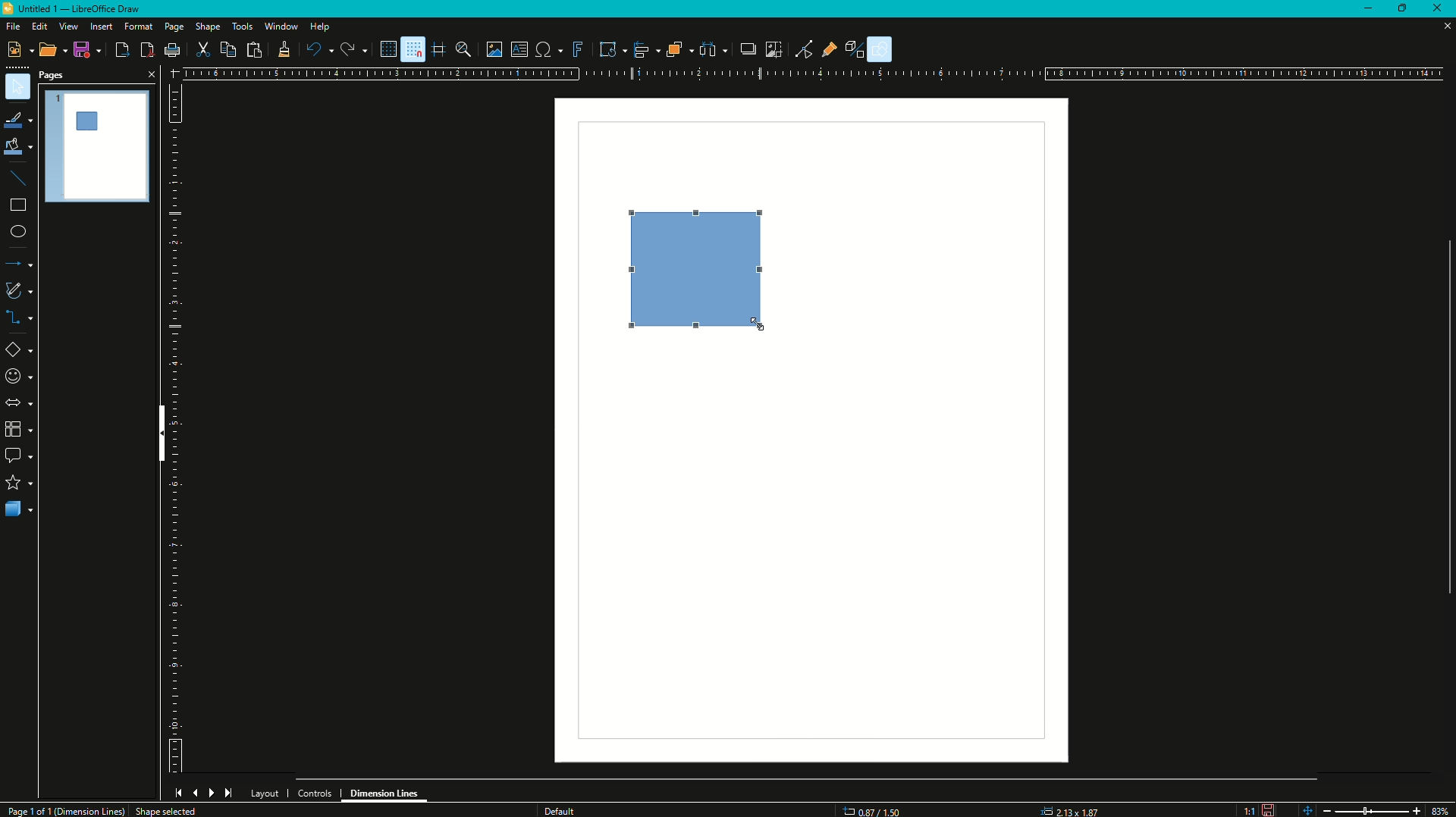 The width and height of the screenshot is (1456, 817). What do you see at coordinates (18, 402) in the screenshot?
I see `Arrows` at bounding box center [18, 402].